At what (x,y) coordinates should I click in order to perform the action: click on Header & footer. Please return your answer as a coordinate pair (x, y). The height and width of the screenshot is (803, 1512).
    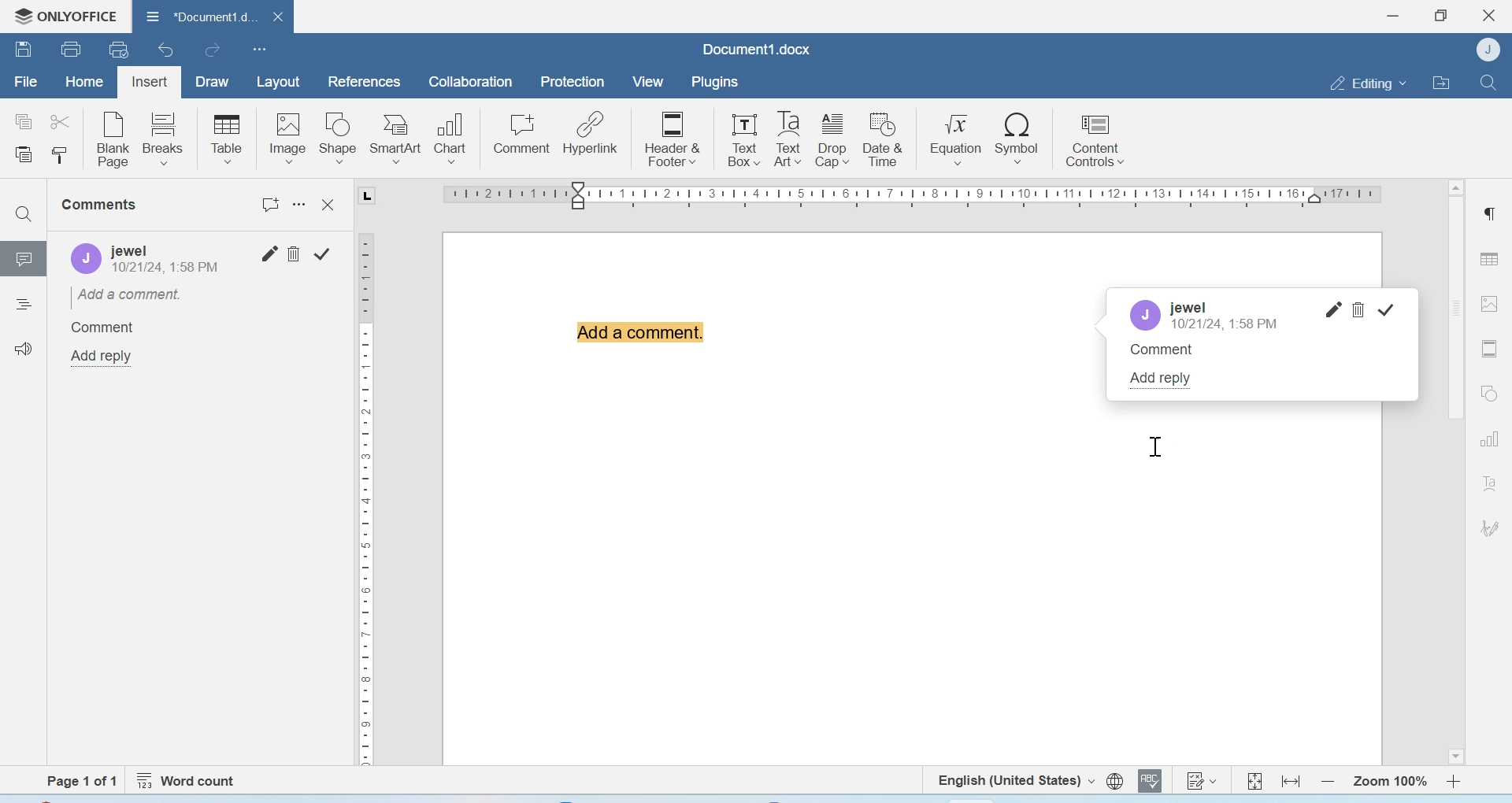
    Looking at the image, I should click on (1490, 349).